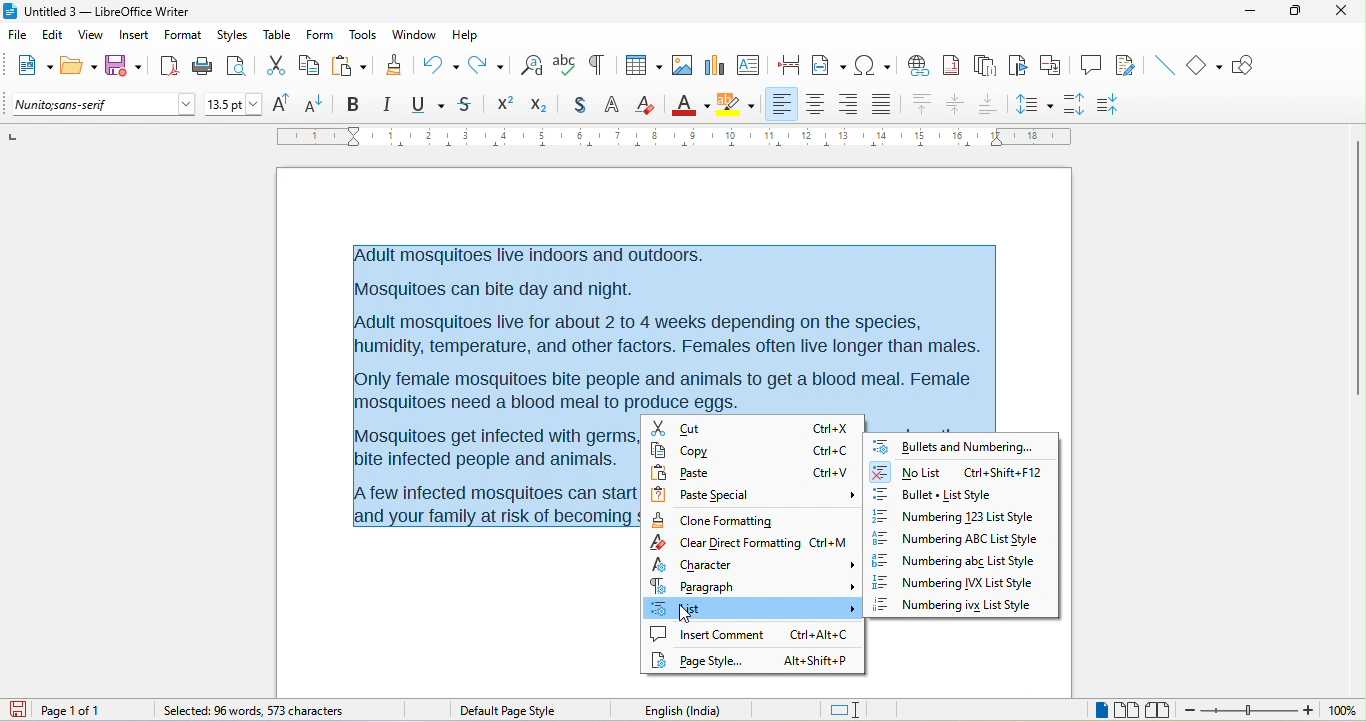  What do you see at coordinates (1342, 15) in the screenshot?
I see `close` at bounding box center [1342, 15].